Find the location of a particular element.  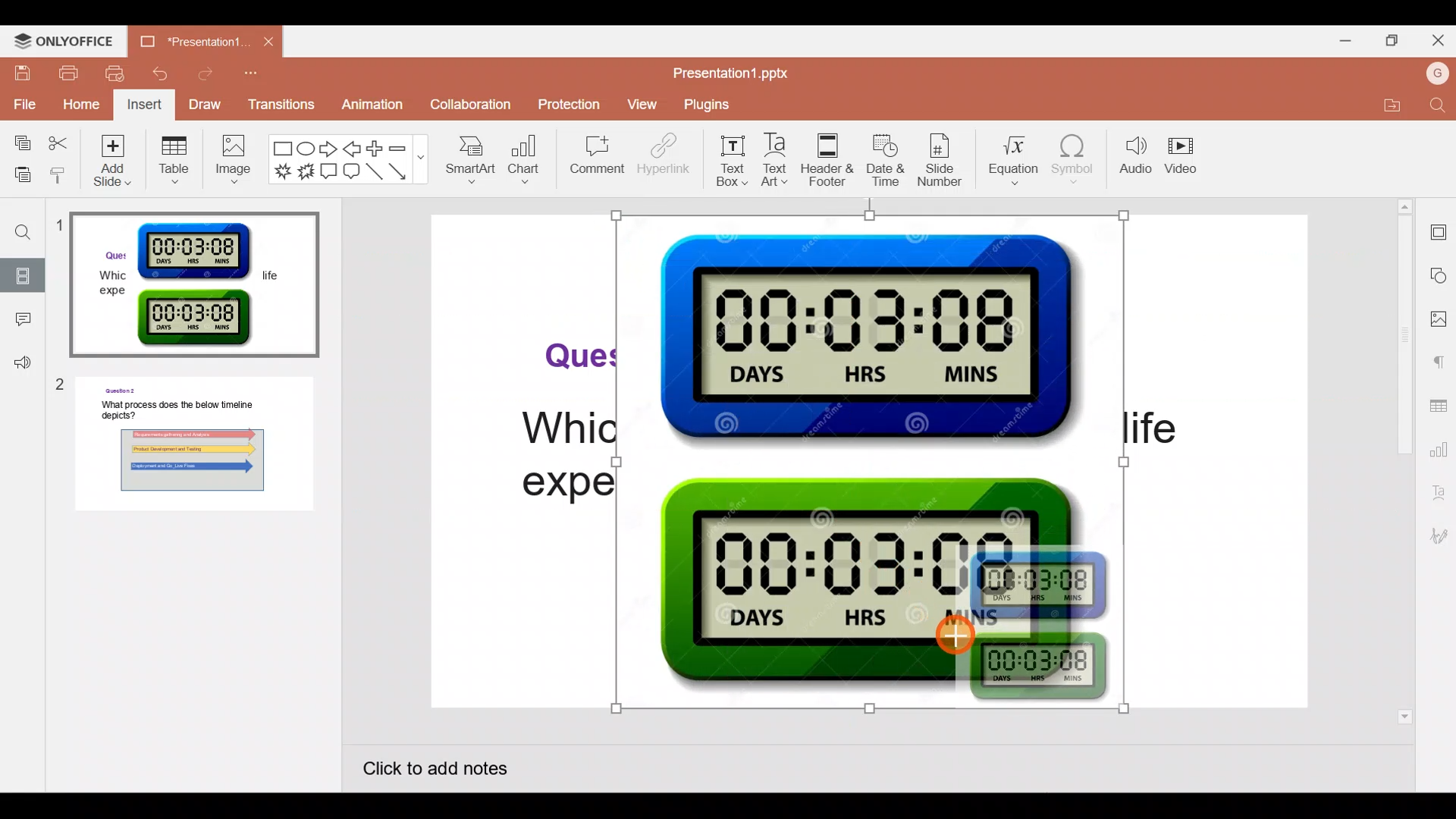

Find is located at coordinates (18, 227).